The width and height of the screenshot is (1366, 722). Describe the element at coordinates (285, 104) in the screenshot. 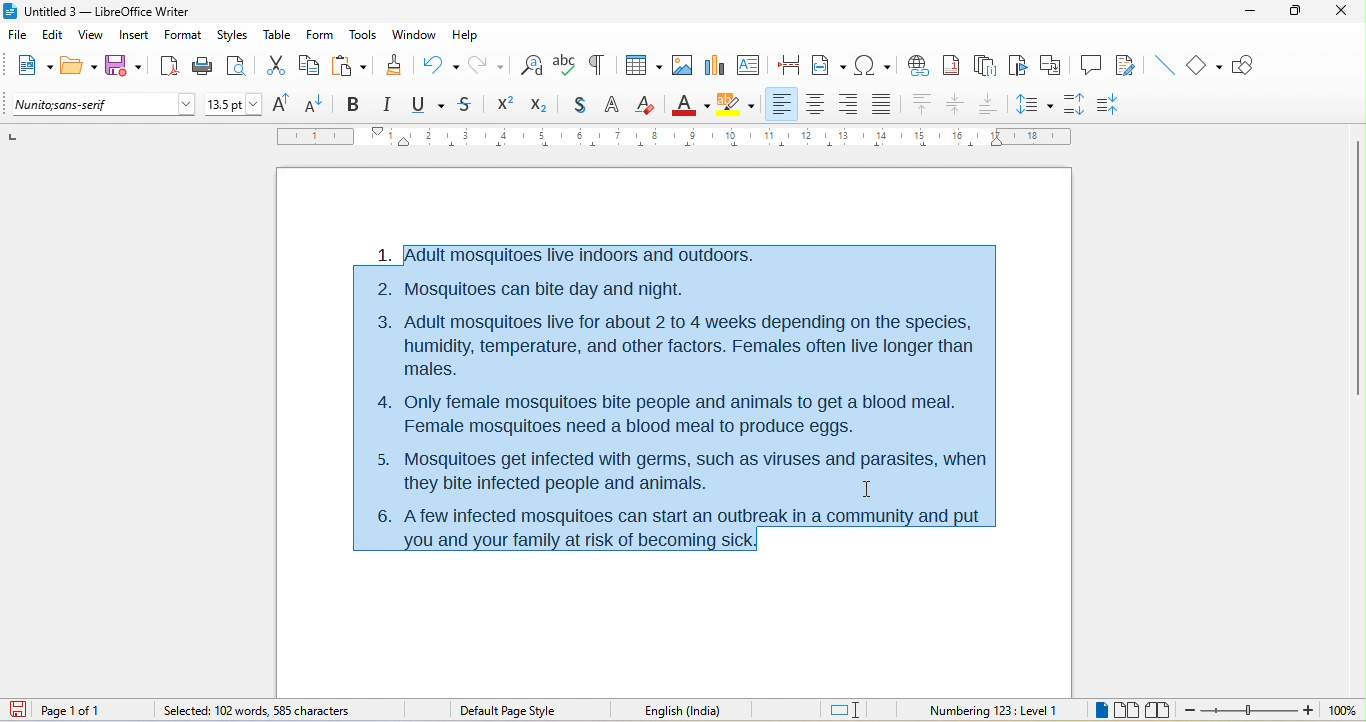

I see `increase size` at that location.